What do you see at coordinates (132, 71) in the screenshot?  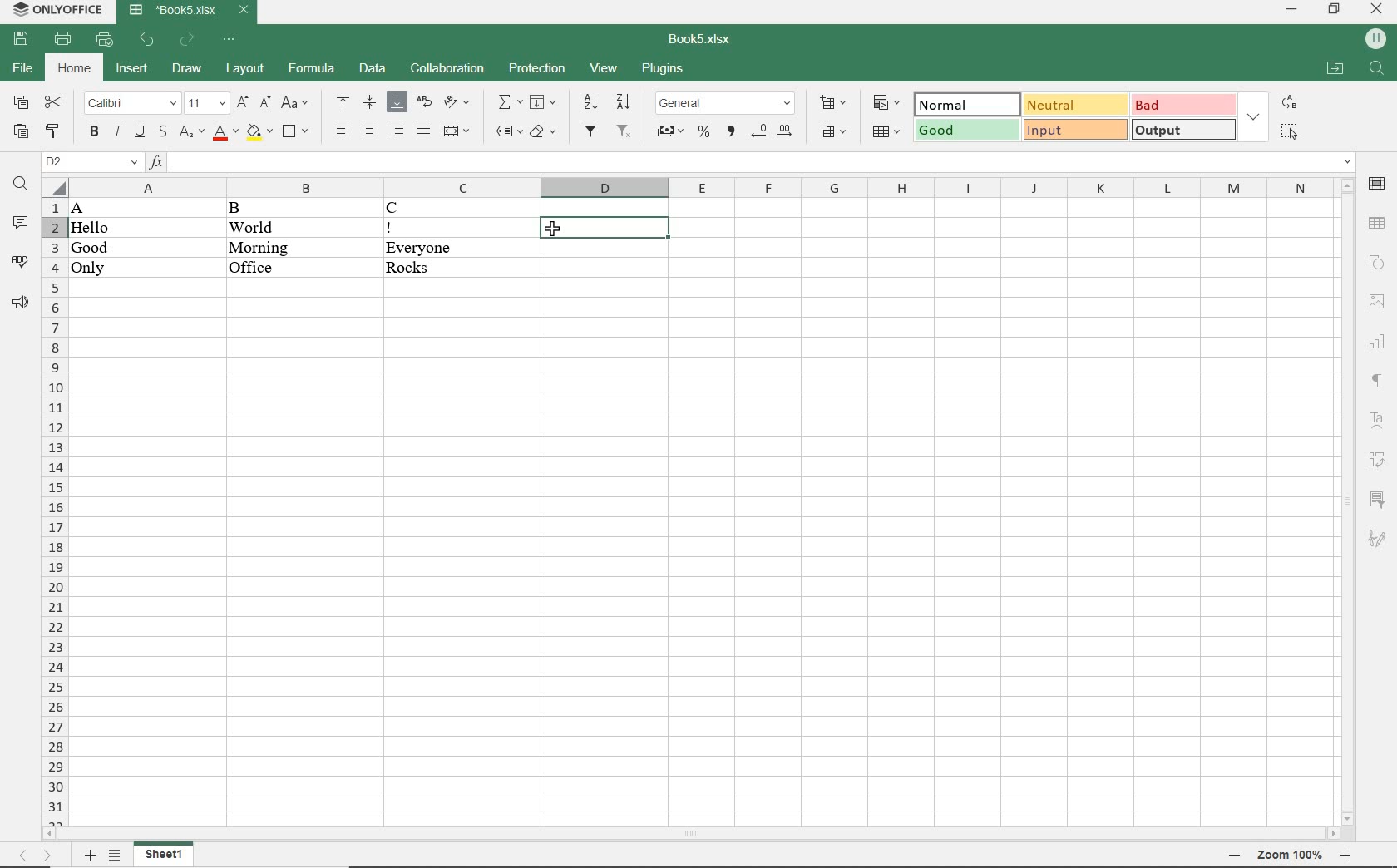 I see `insert` at bounding box center [132, 71].